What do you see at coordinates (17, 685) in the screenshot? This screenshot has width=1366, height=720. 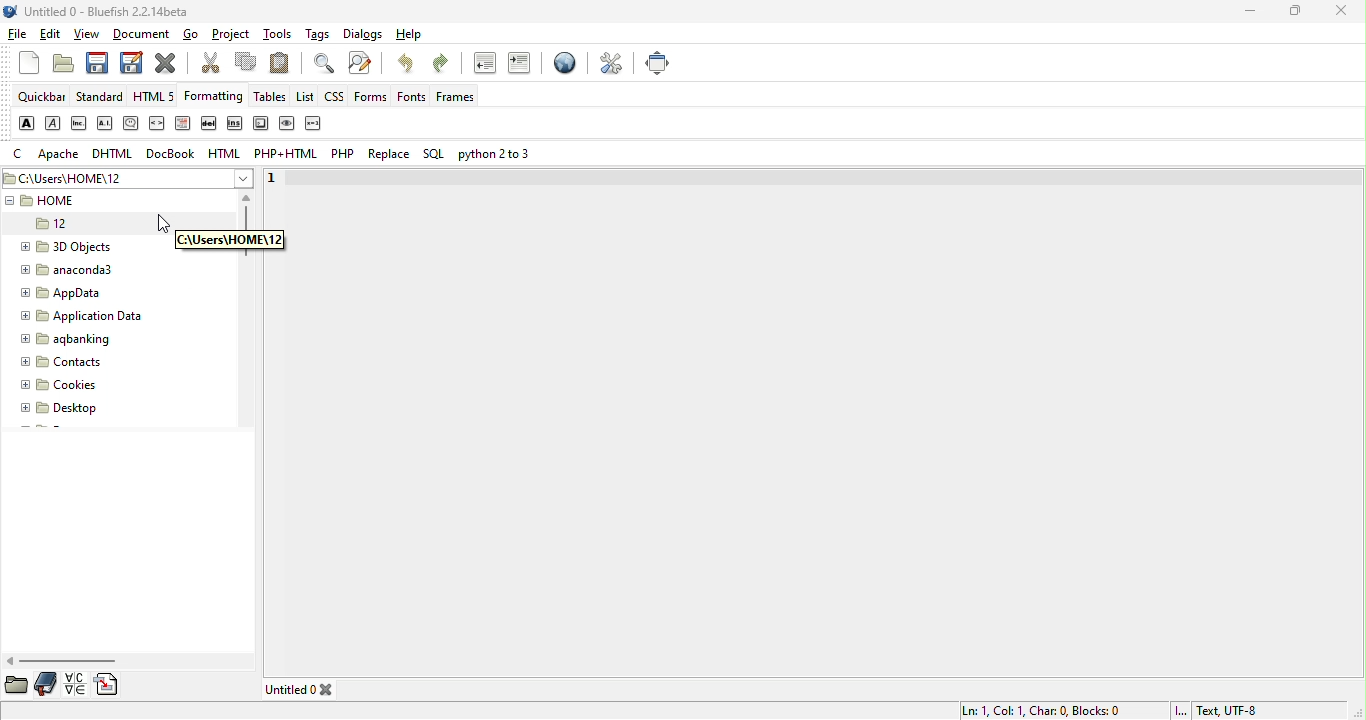 I see `file browser` at bounding box center [17, 685].